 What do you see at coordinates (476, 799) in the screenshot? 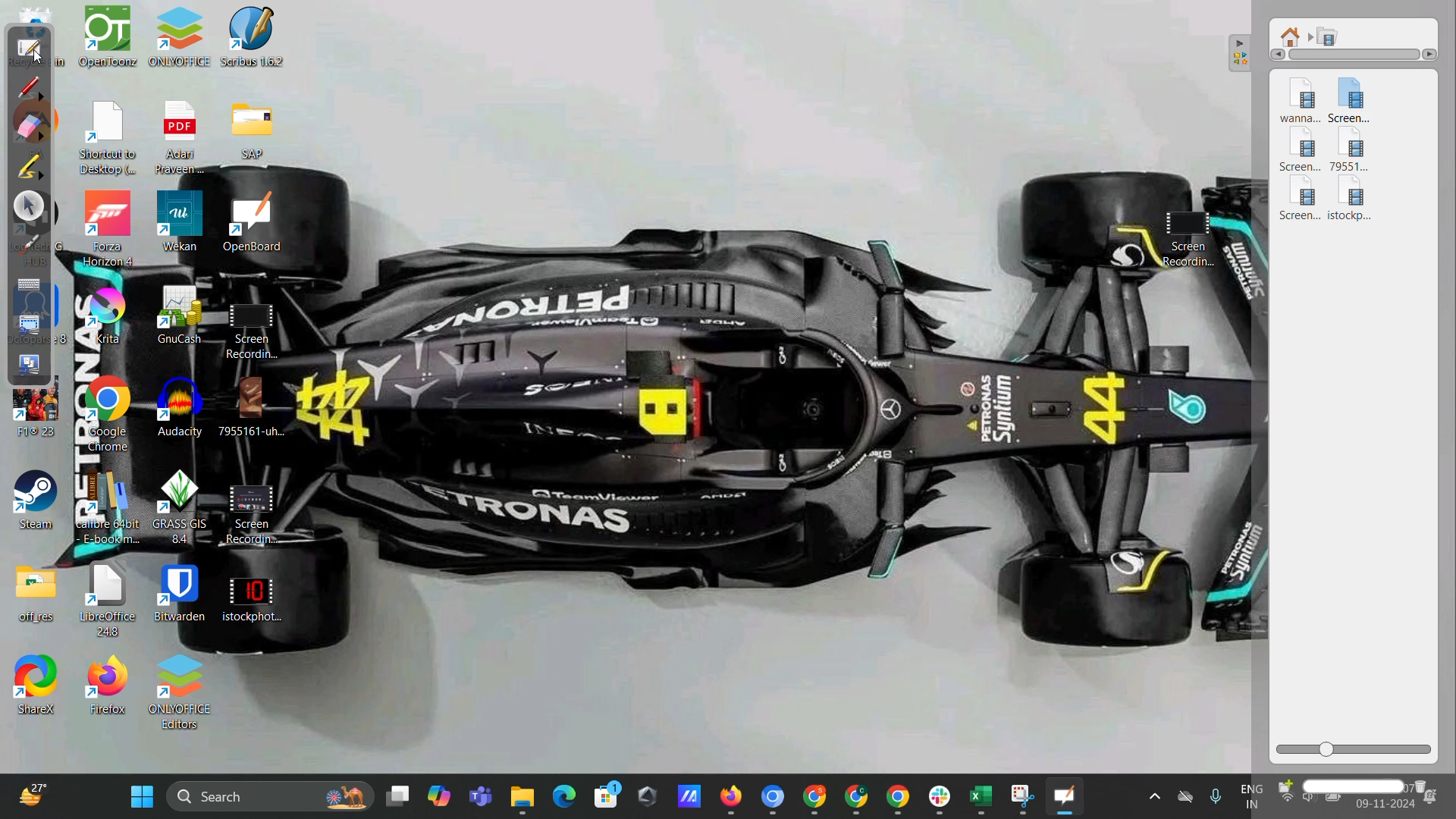
I see `microsoft teams` at bounding box center [476, 799].